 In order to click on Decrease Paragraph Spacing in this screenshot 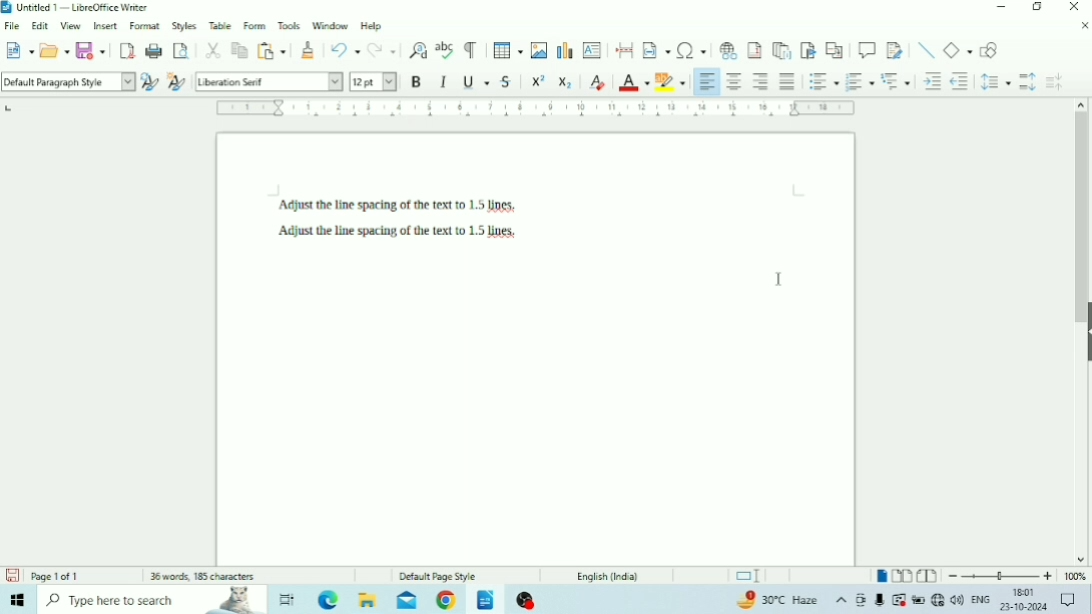, I will do `click(1054, 83)`.